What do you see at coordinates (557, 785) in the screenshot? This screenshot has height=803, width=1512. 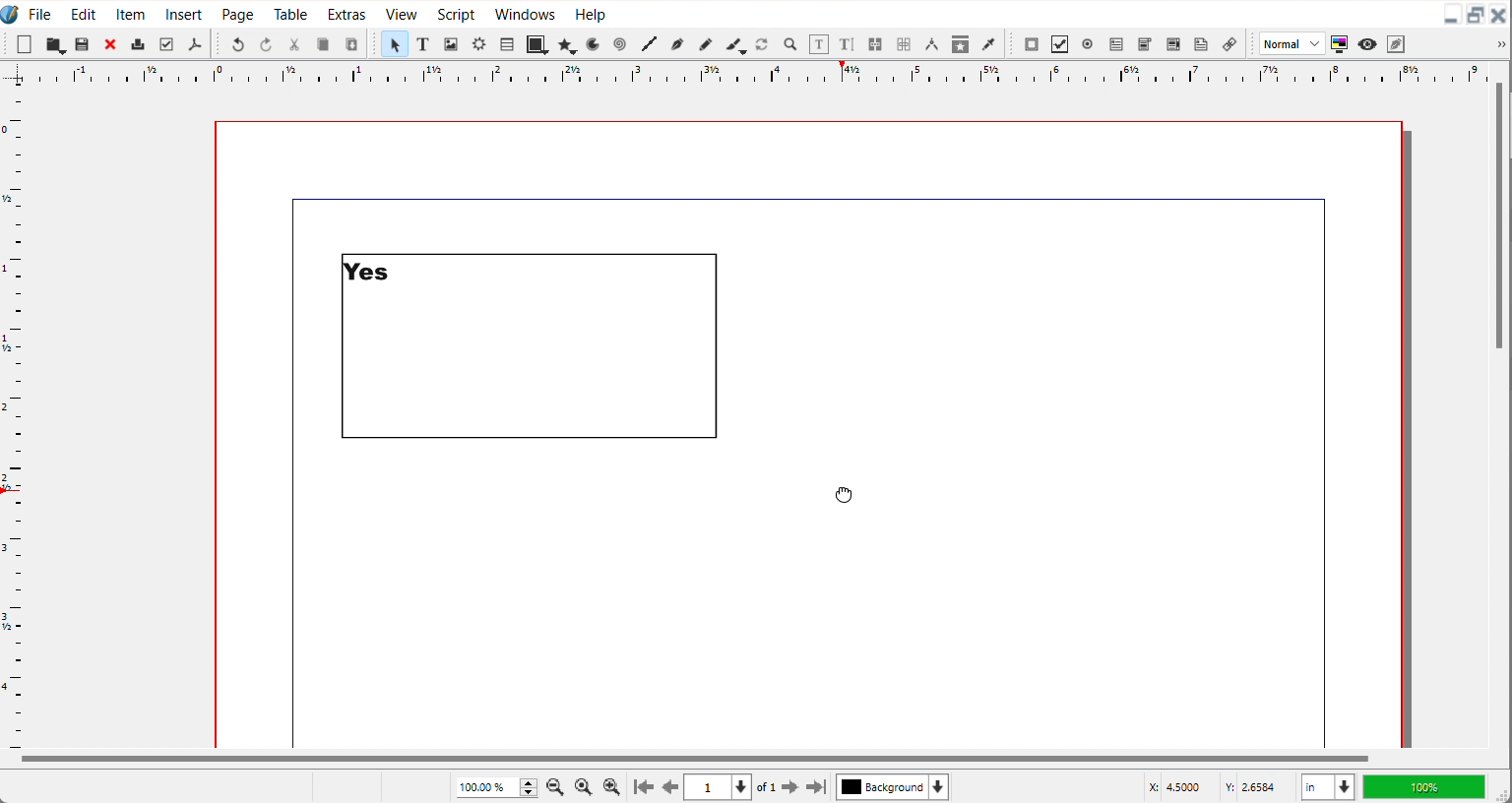 I see `Zoom Out` at bounding box center [557, 785].